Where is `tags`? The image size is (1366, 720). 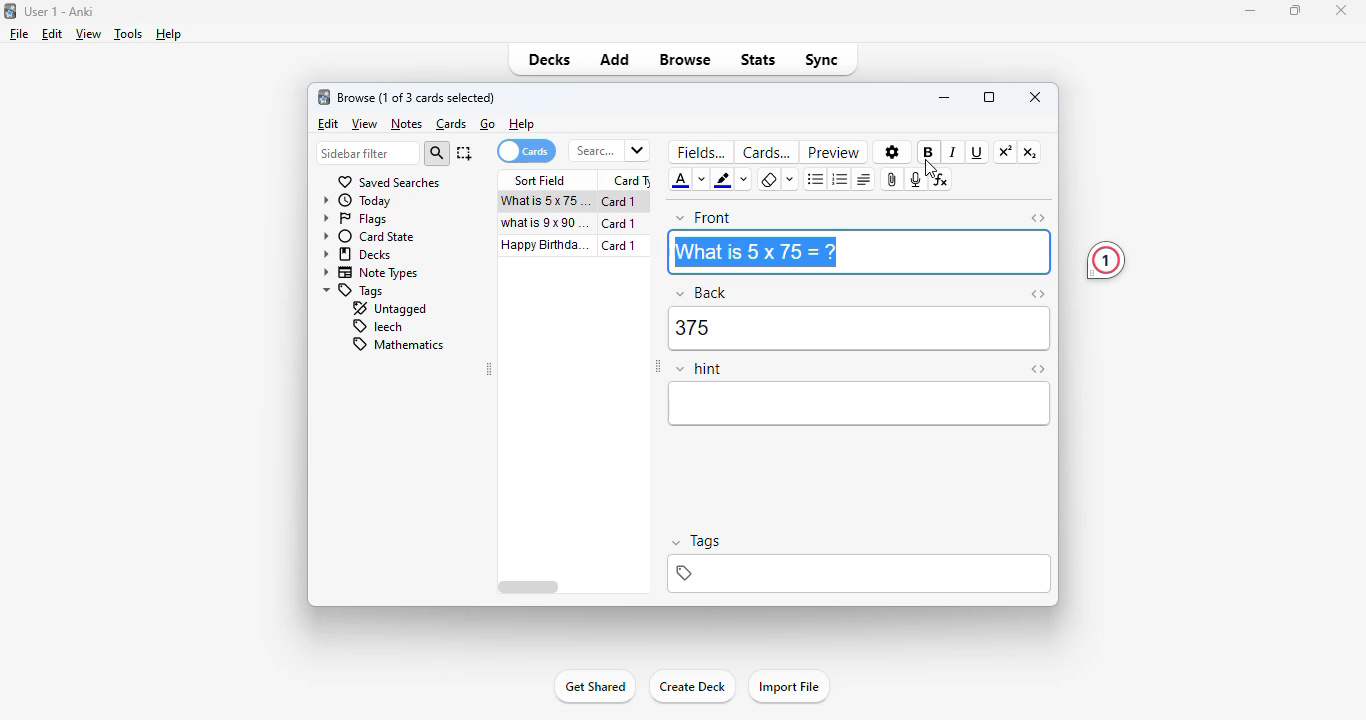 tags is located at coordinates (861, 574).